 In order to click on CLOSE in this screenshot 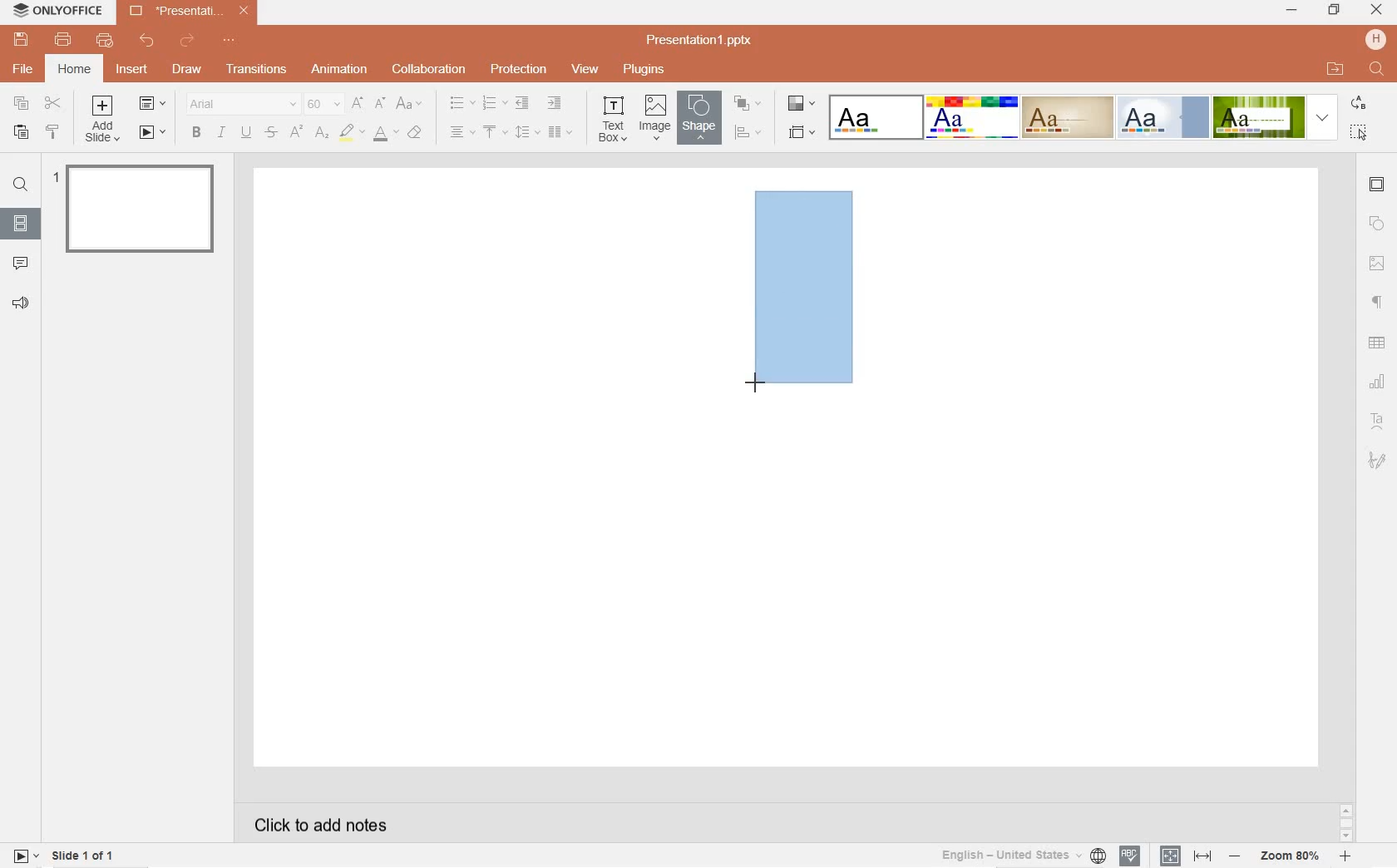, I will do `click(1377, 11)`.